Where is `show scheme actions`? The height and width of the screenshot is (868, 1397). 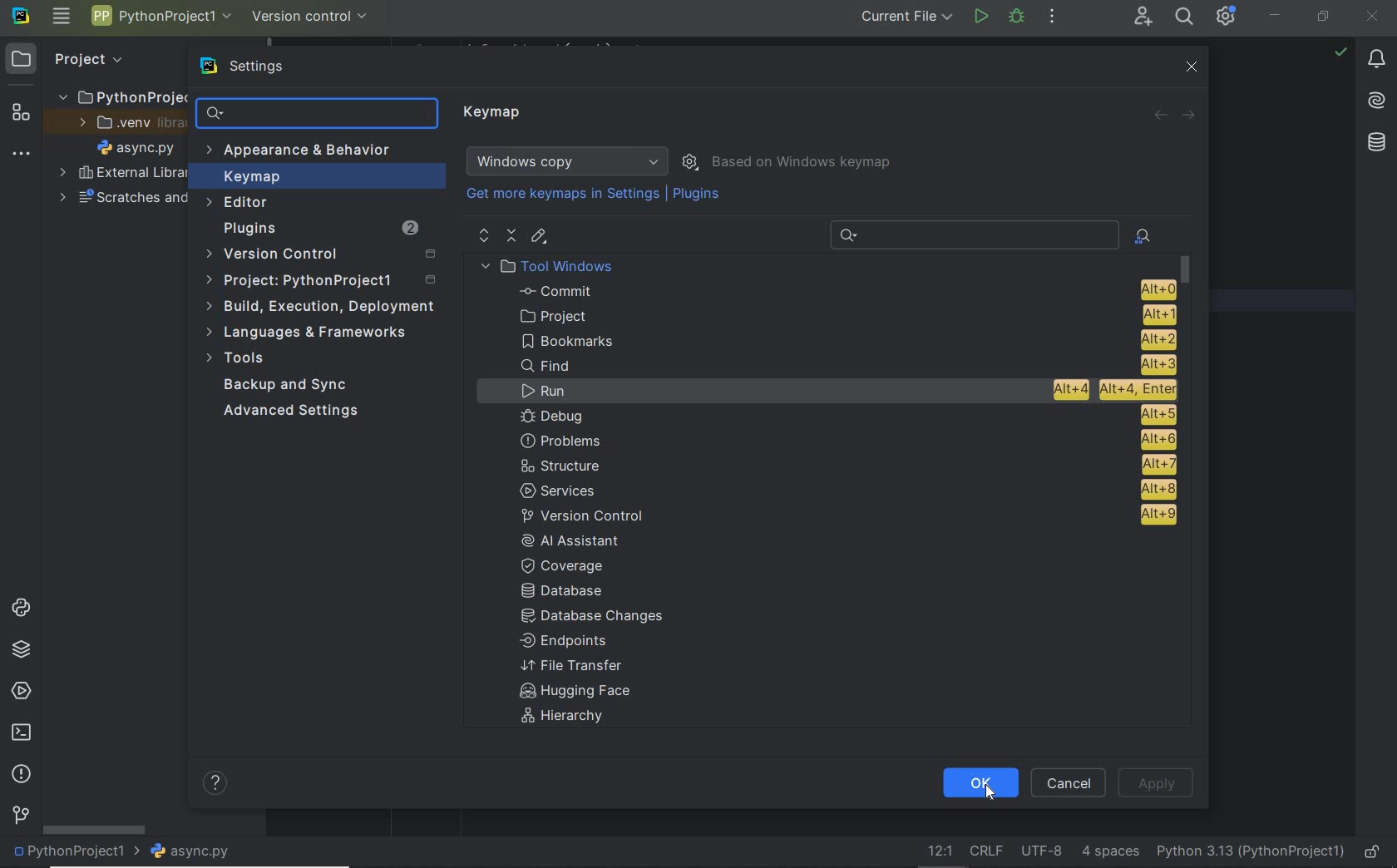
show scheme actions is located at coordinates (690, 161).